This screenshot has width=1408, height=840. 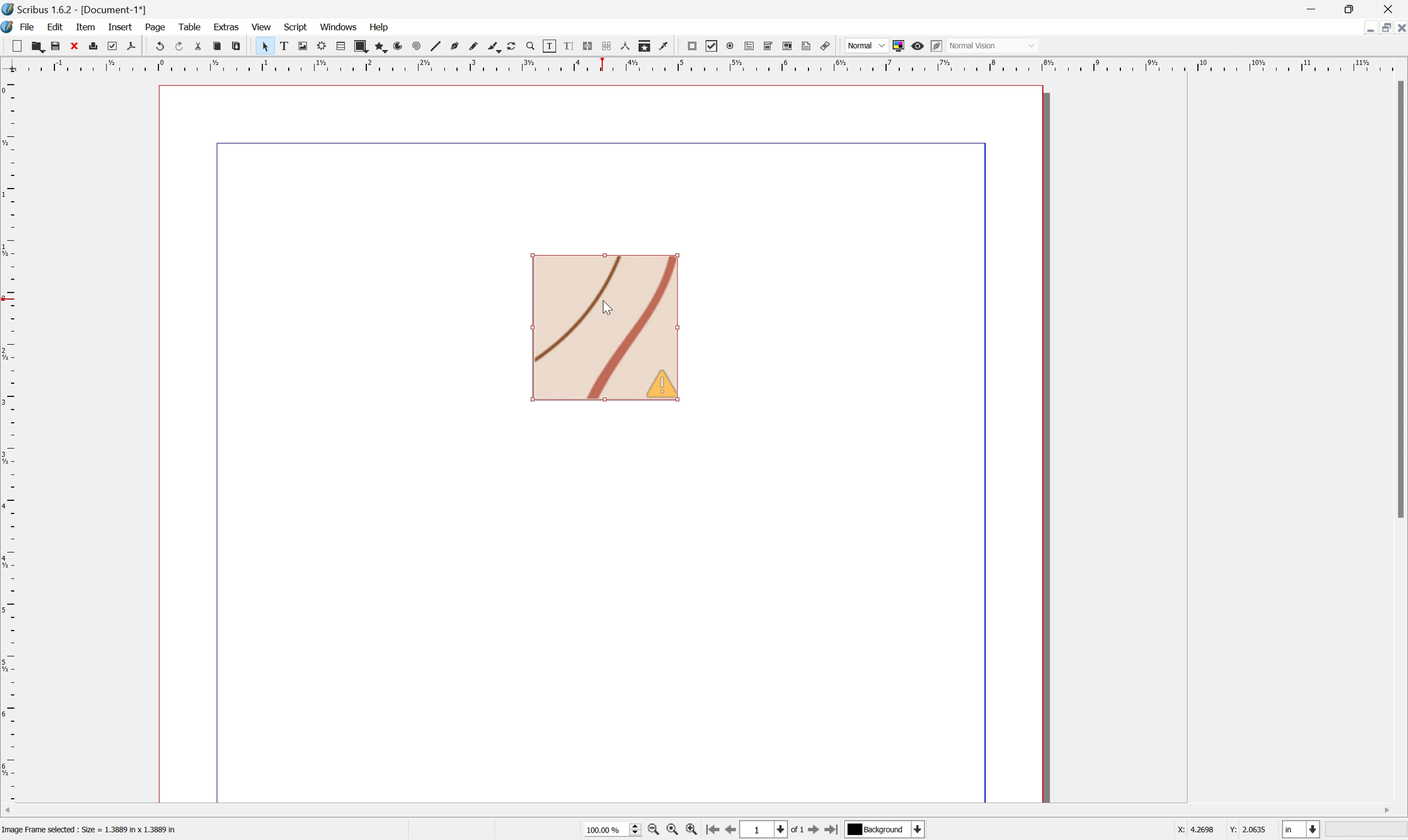 I want to click on Help, so click(x=376, y=27).